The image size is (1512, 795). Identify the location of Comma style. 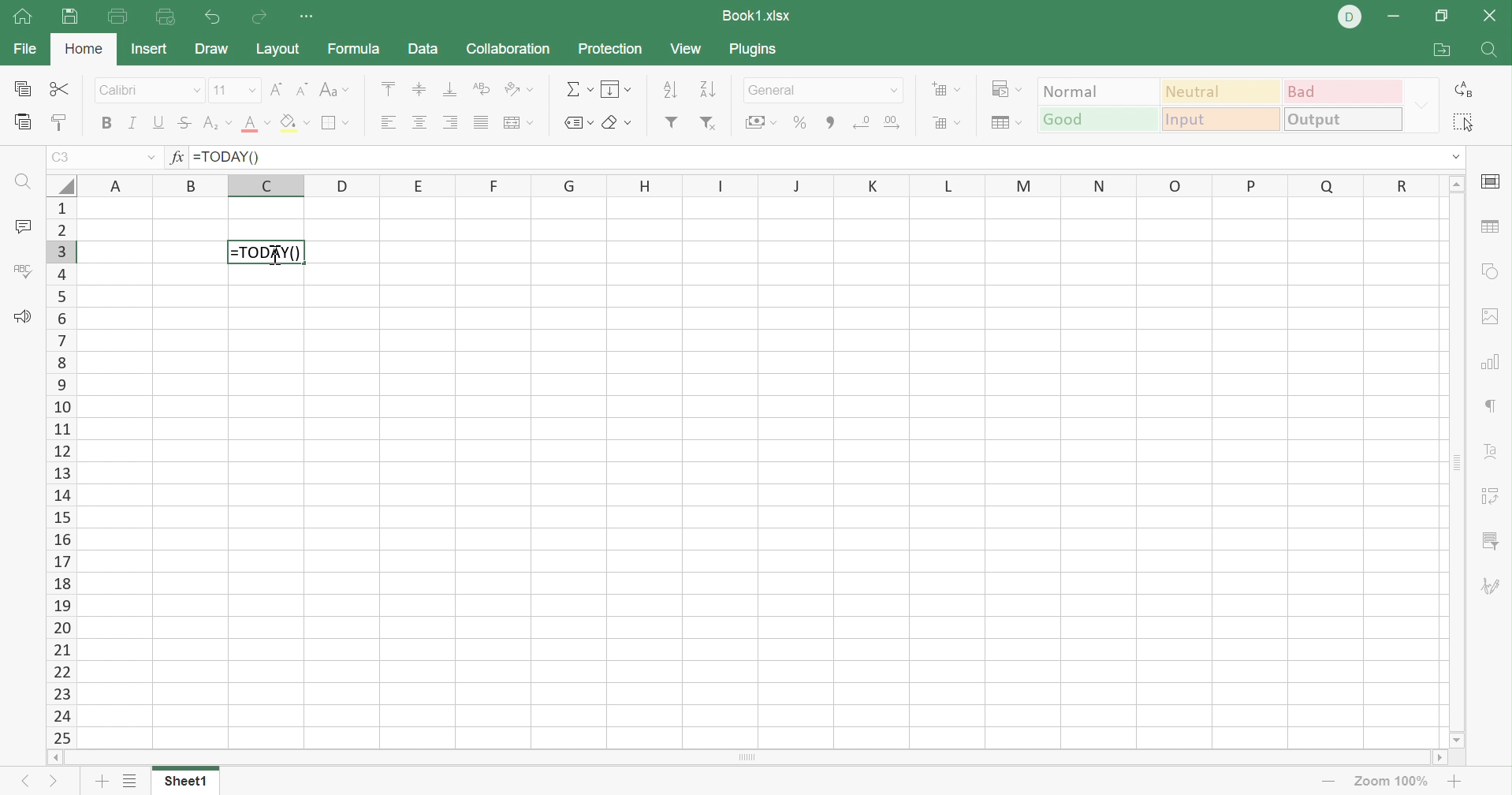
(832, 122).